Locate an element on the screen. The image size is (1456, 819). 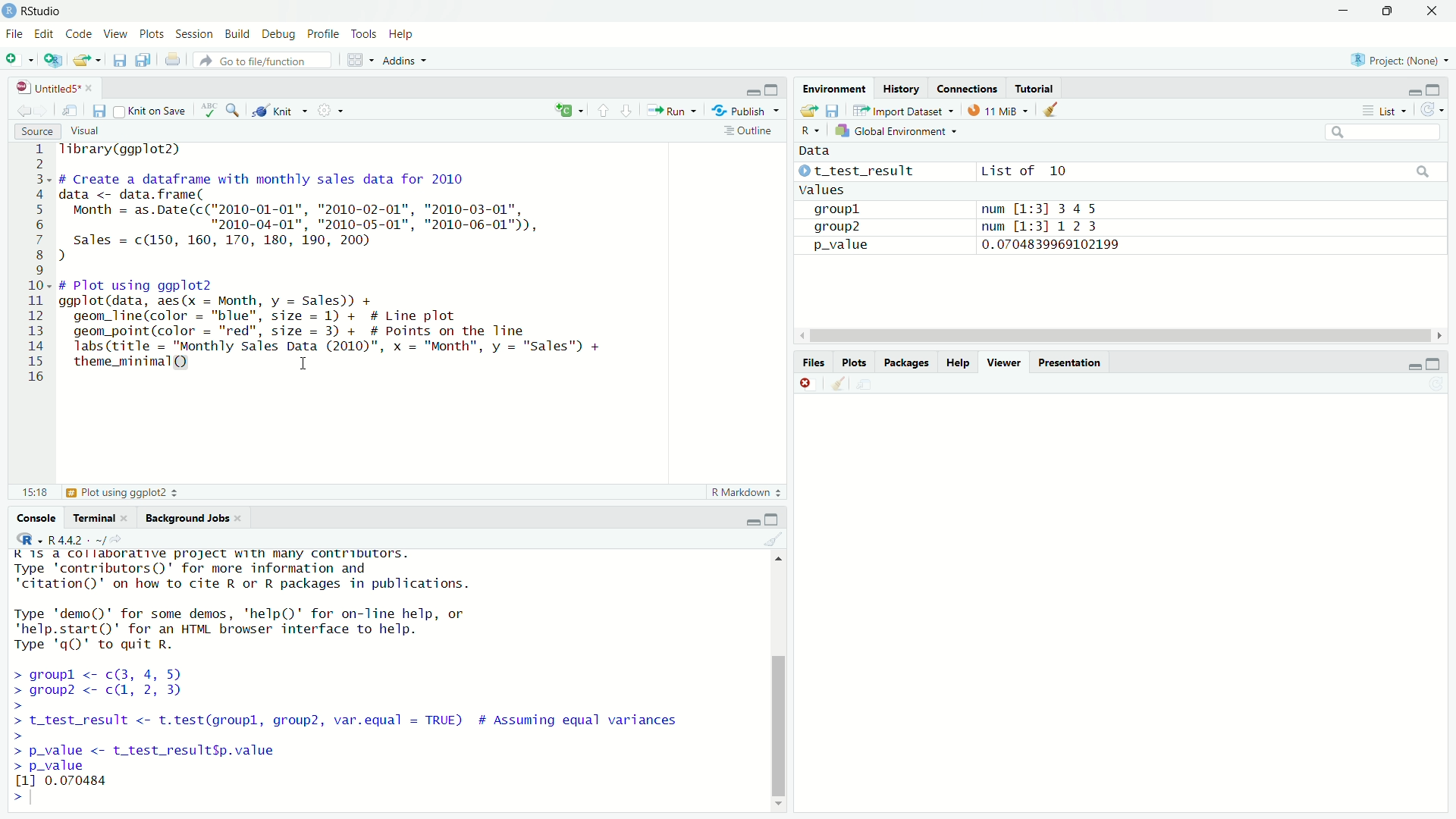
R Markdown is located at coordinates (746, 491).